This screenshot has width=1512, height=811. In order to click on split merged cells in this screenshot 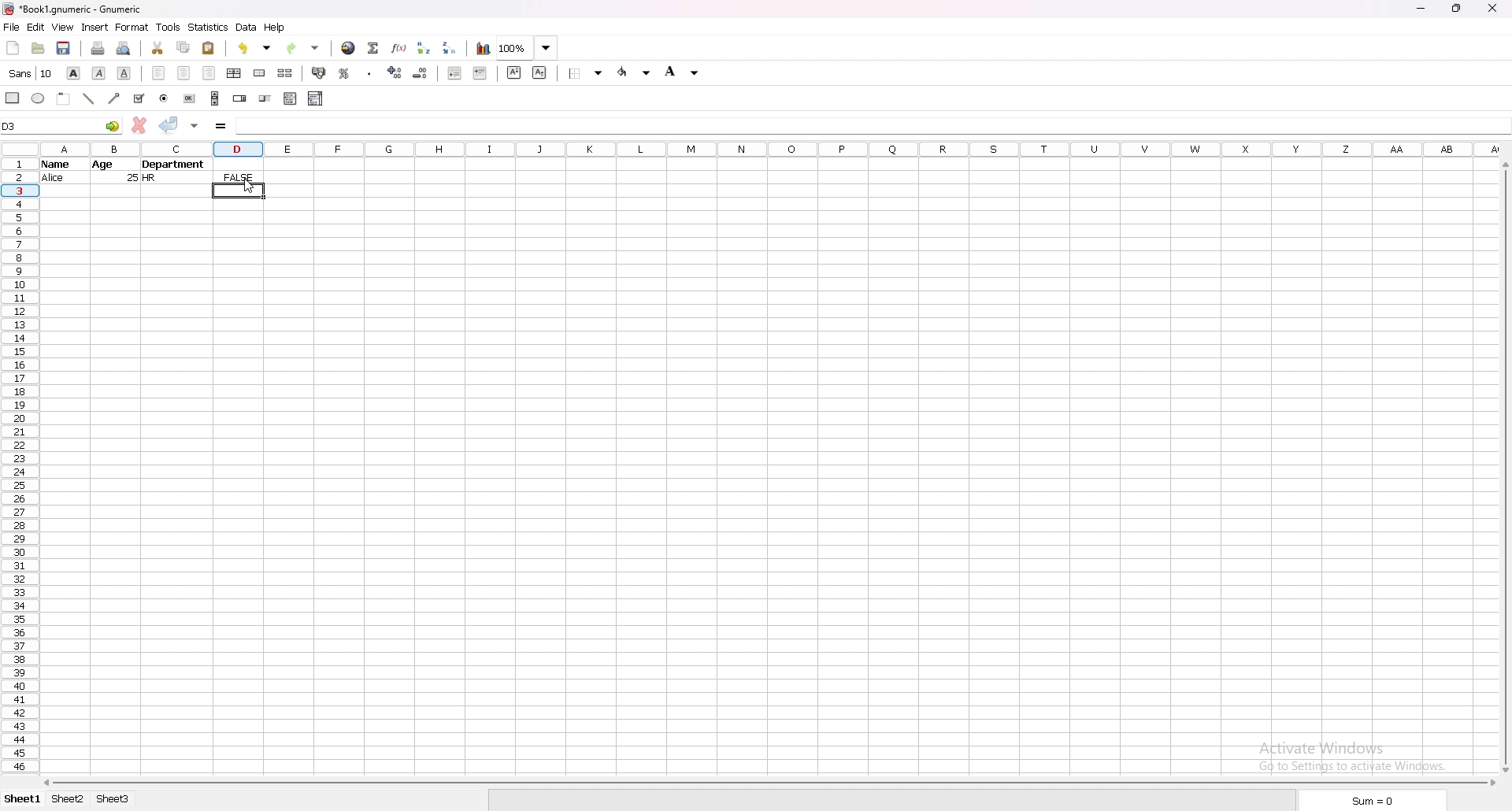, I will do `click(284, 73)`.